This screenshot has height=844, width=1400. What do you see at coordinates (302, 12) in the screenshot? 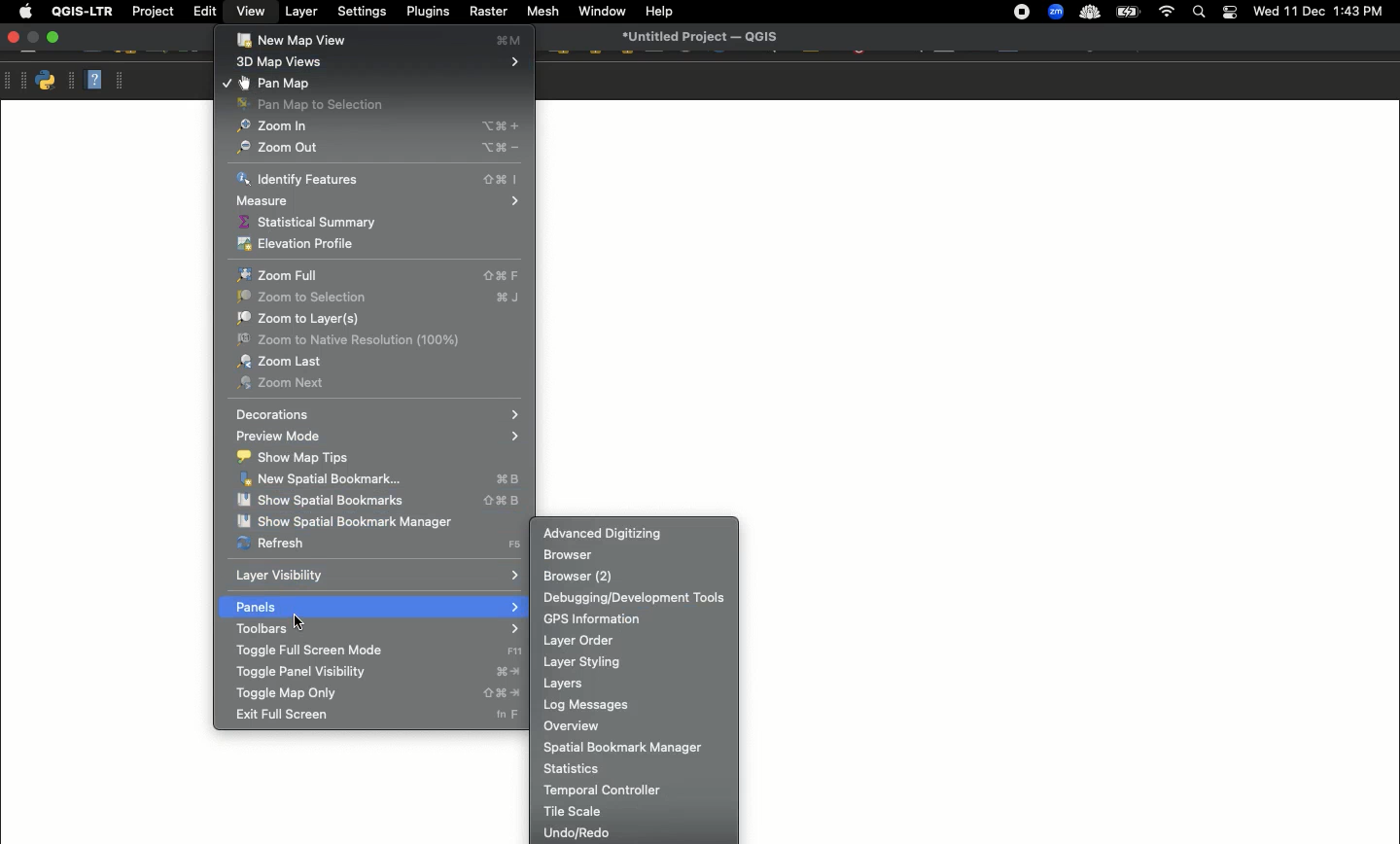
I see `Layer` at bounding box center [302, 12].